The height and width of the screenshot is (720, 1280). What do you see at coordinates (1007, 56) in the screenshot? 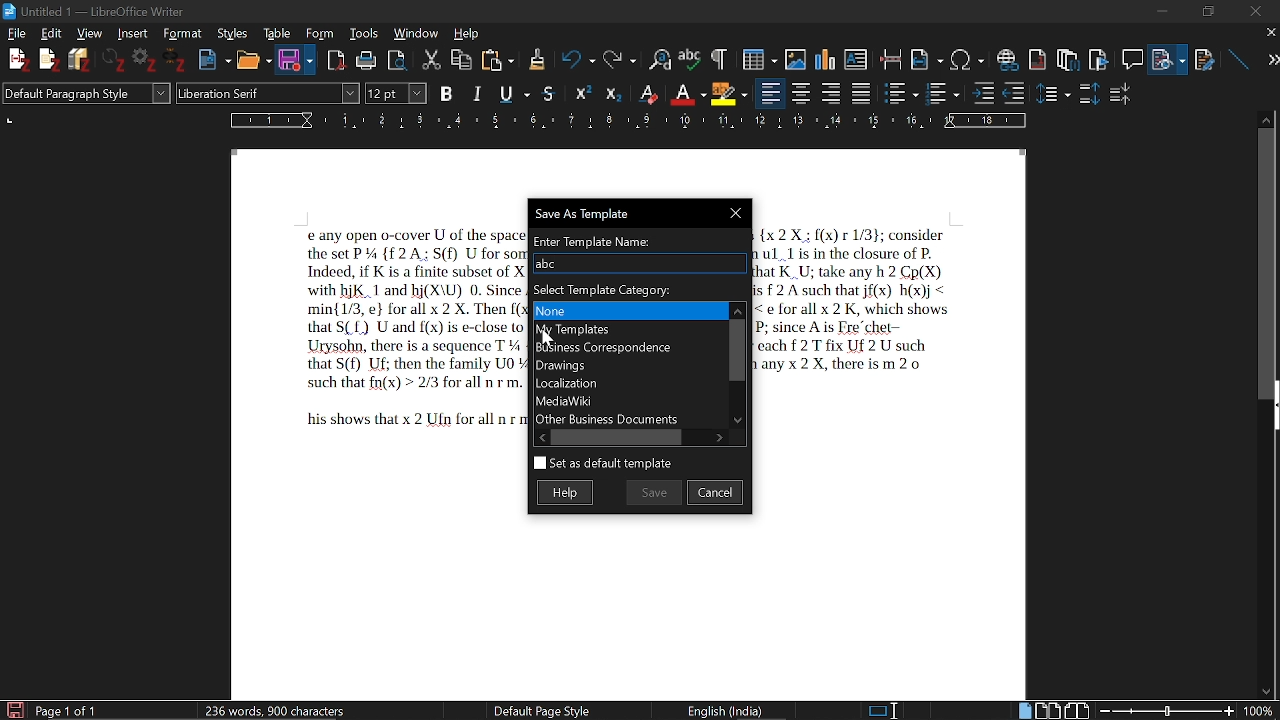
I see `Insert link` at bounding box center [1007, 56].